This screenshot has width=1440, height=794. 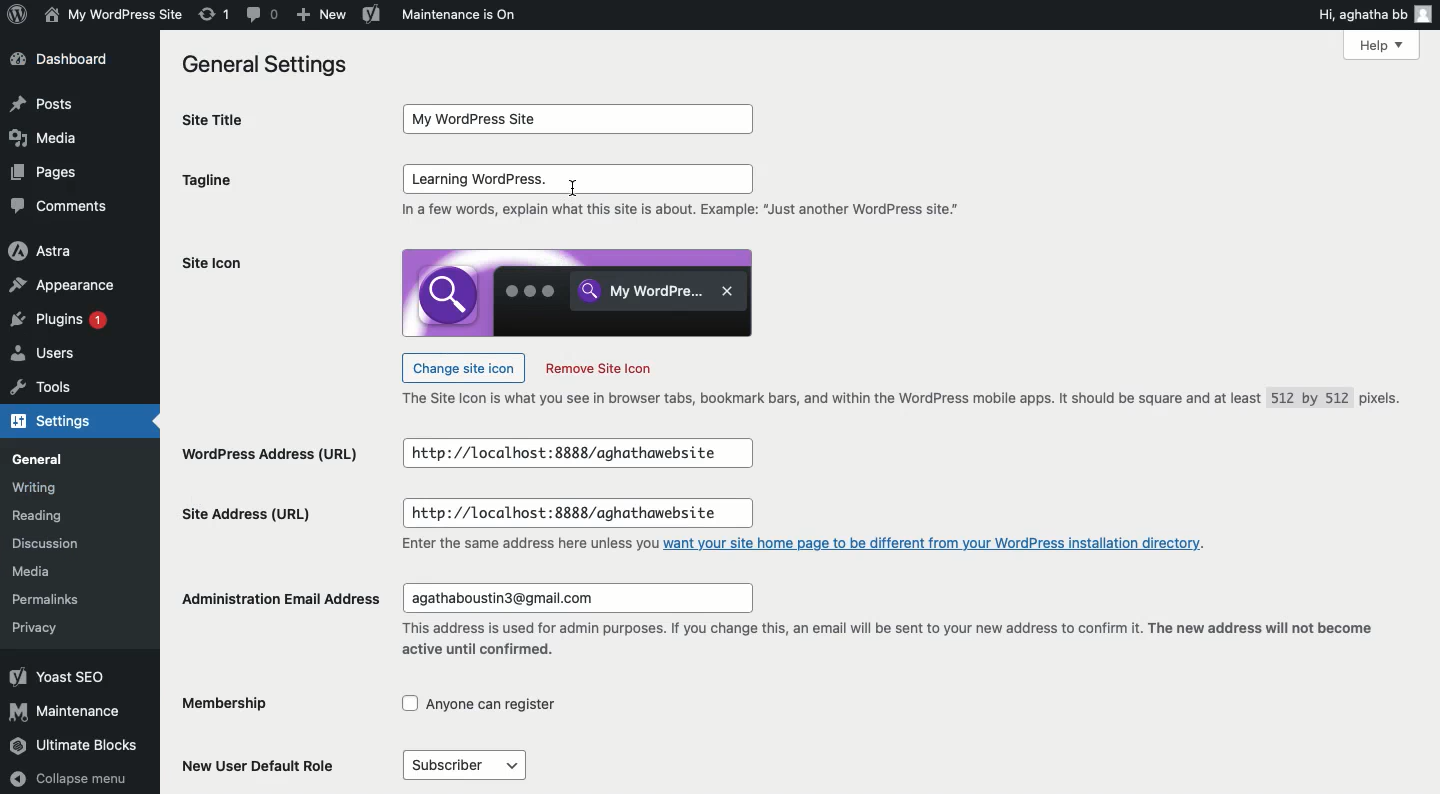 I want to click on Discussion, so click(x=53, y=546).